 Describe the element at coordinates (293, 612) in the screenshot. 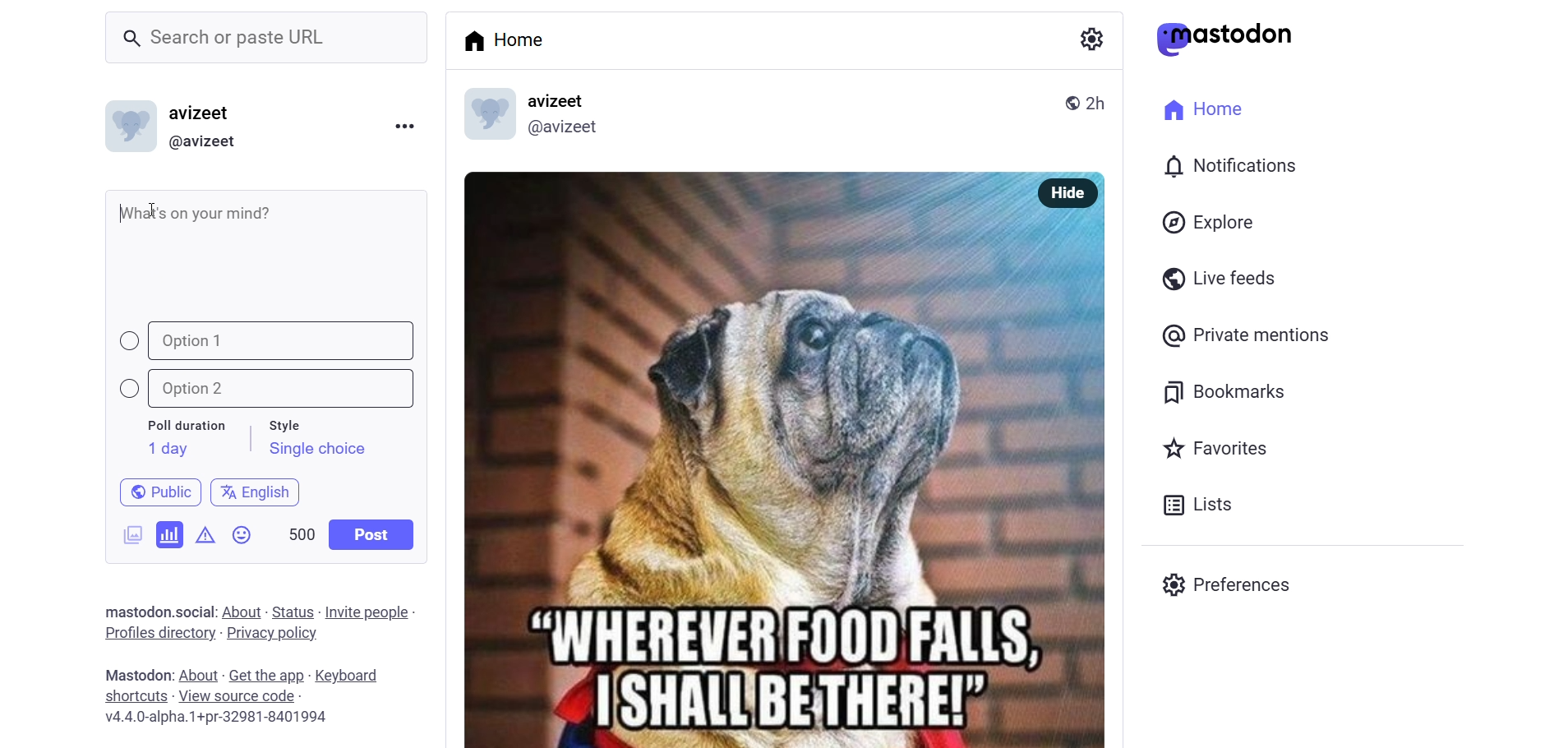

I see `status` at that location.